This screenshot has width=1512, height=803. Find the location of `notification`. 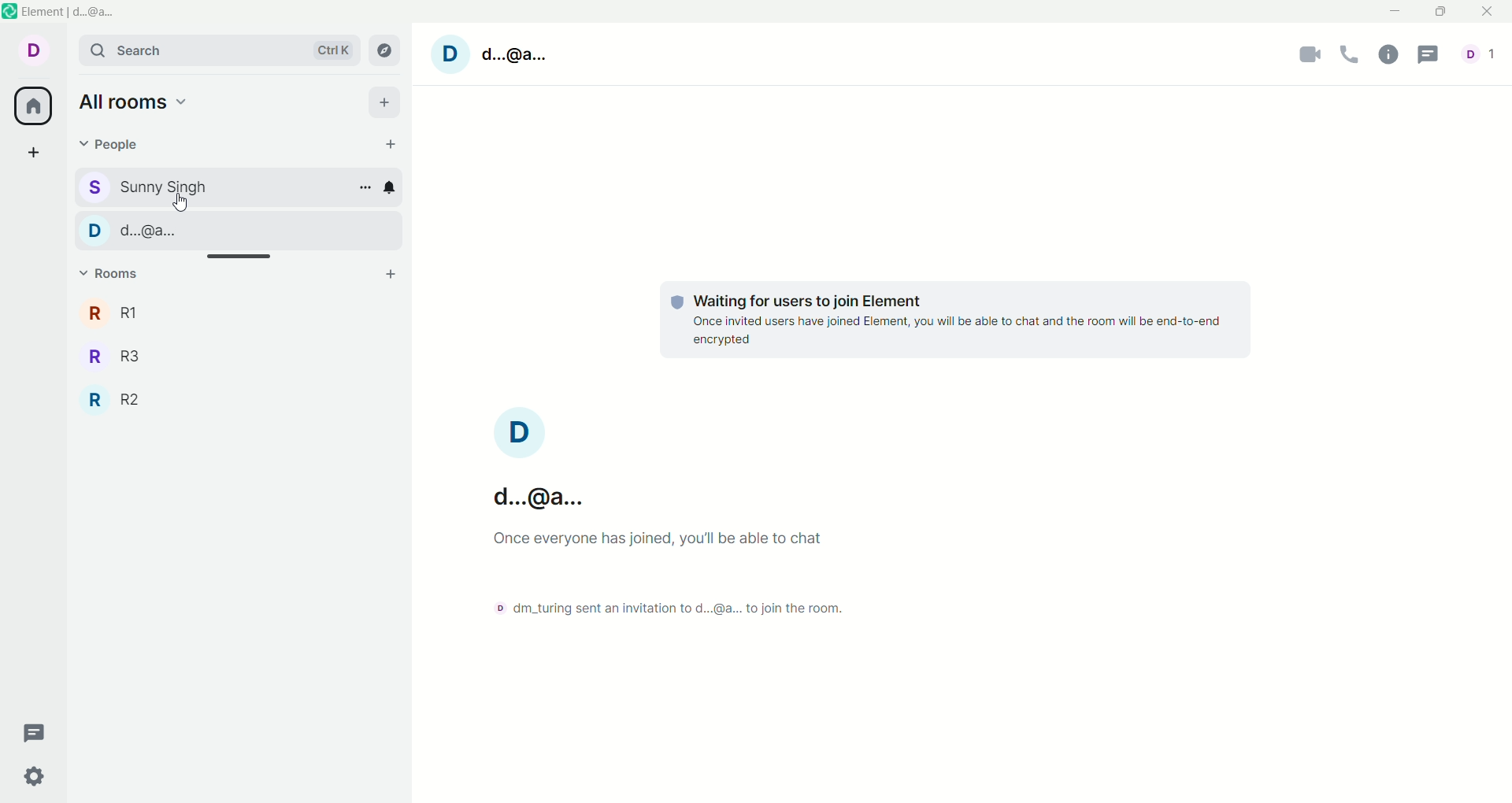

notification is located at coordinates (393, 187).